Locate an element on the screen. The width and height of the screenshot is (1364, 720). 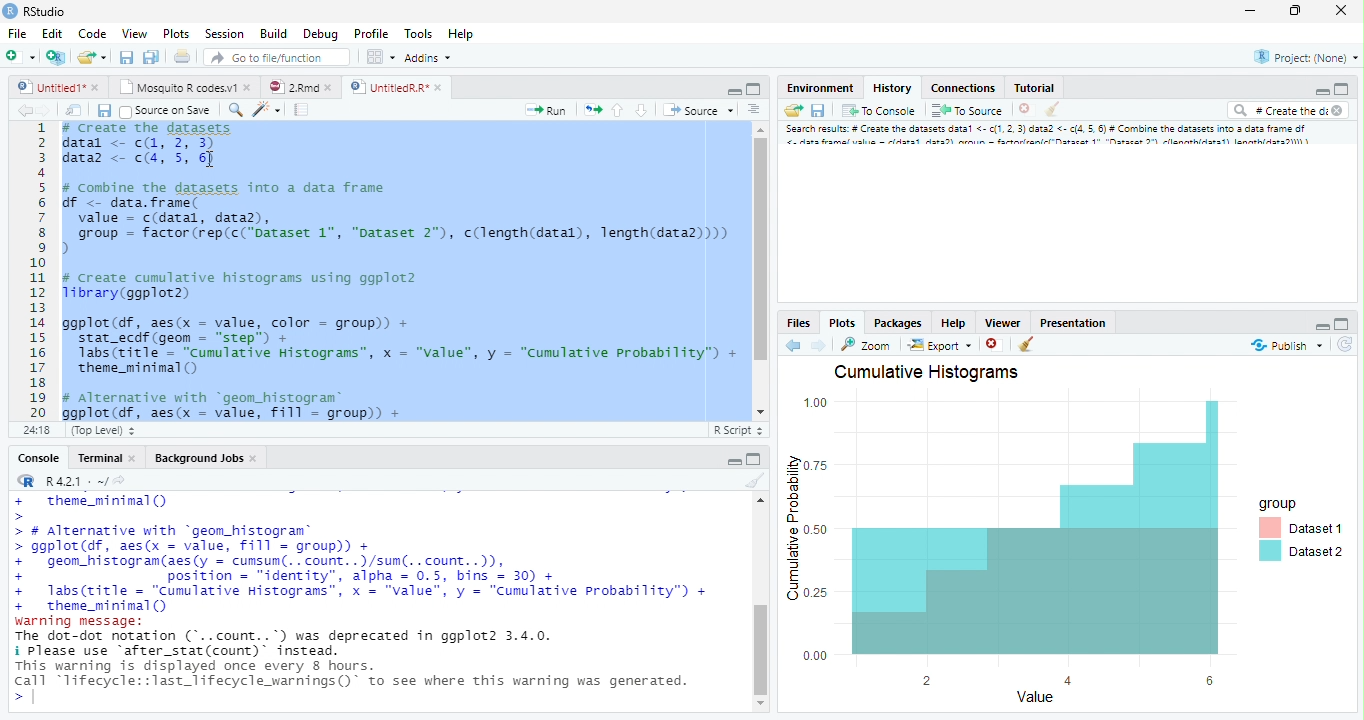
Run is located at coordinates (546, 110).